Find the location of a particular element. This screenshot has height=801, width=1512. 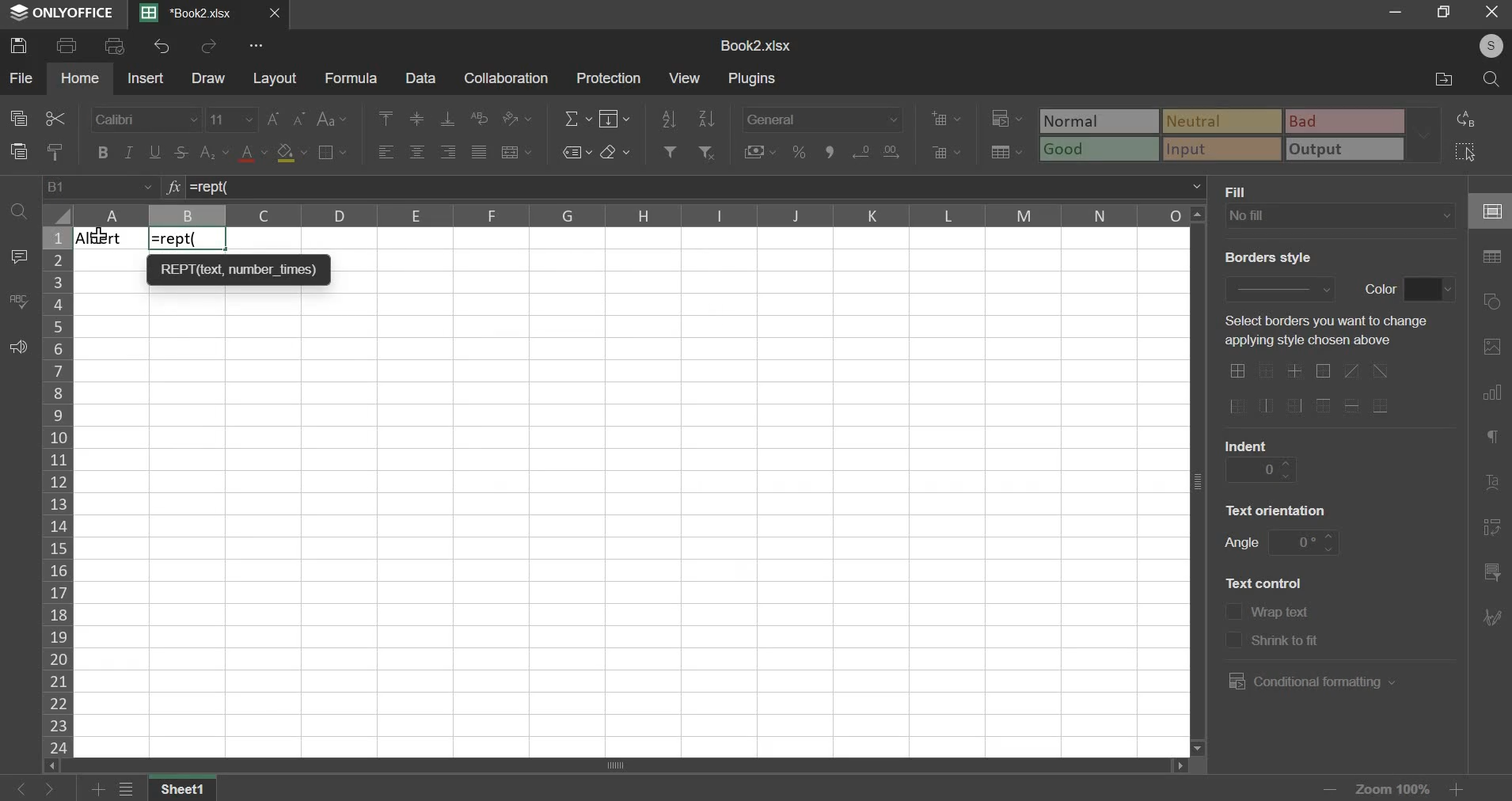

add cells is located at coordinates (946, 117).